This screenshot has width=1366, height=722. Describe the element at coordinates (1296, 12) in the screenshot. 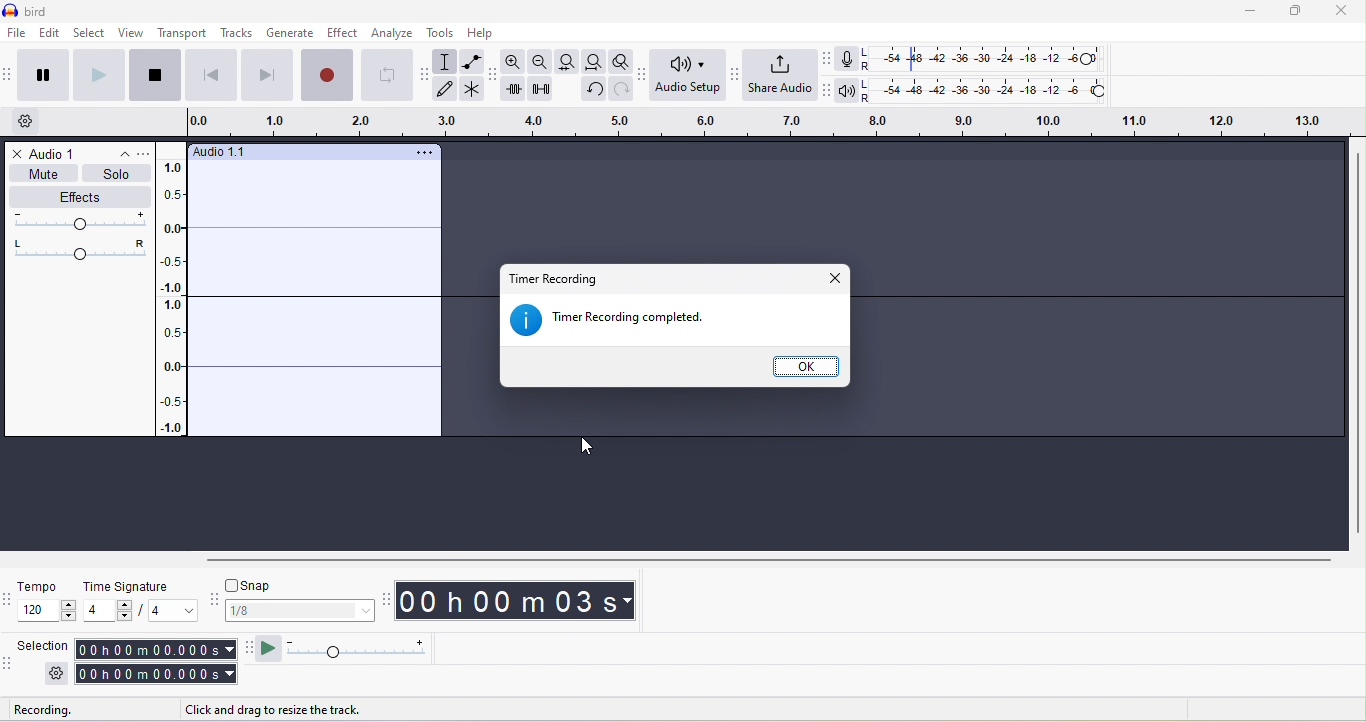

I see `maximize` at that location.